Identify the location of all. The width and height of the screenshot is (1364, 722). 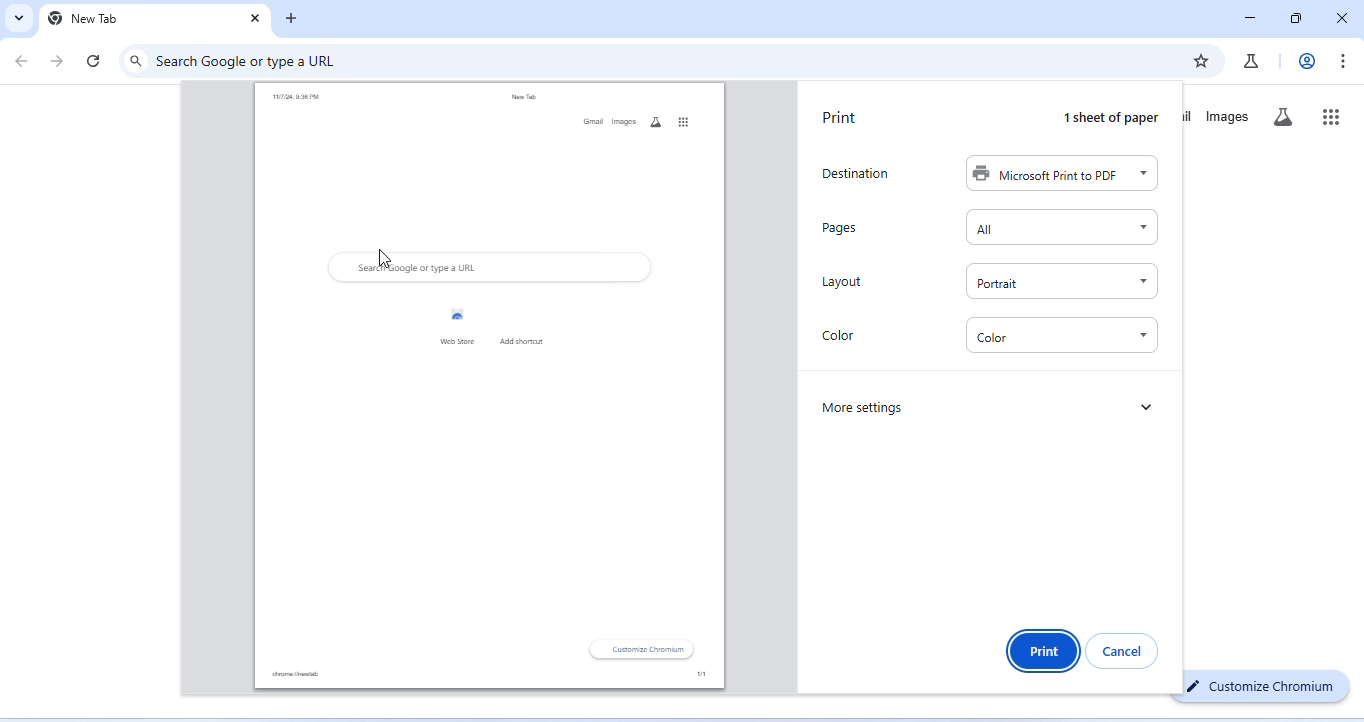
(1061, 228).